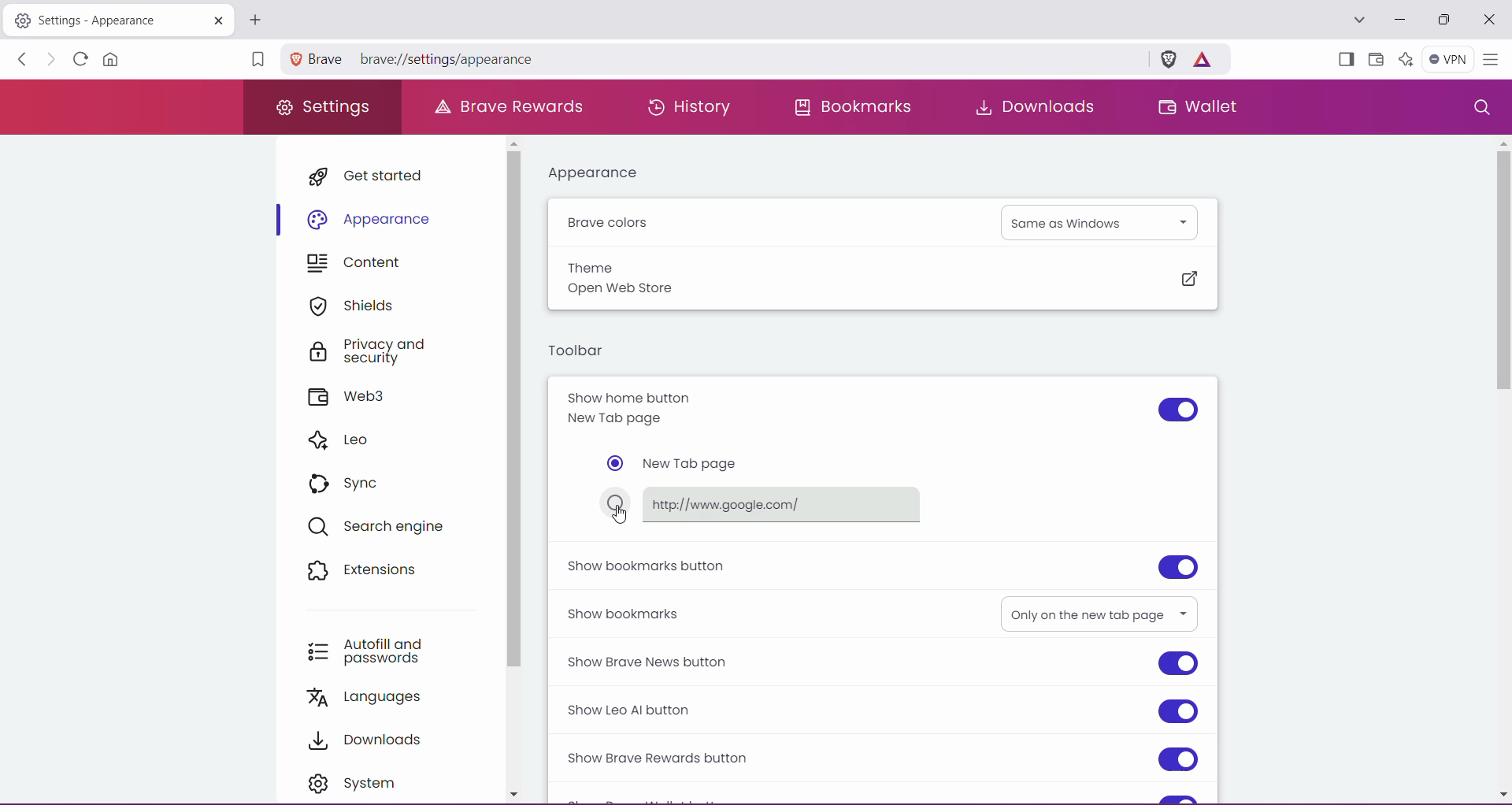  I want to click on Customize and control Brave, so click(1490, 61).